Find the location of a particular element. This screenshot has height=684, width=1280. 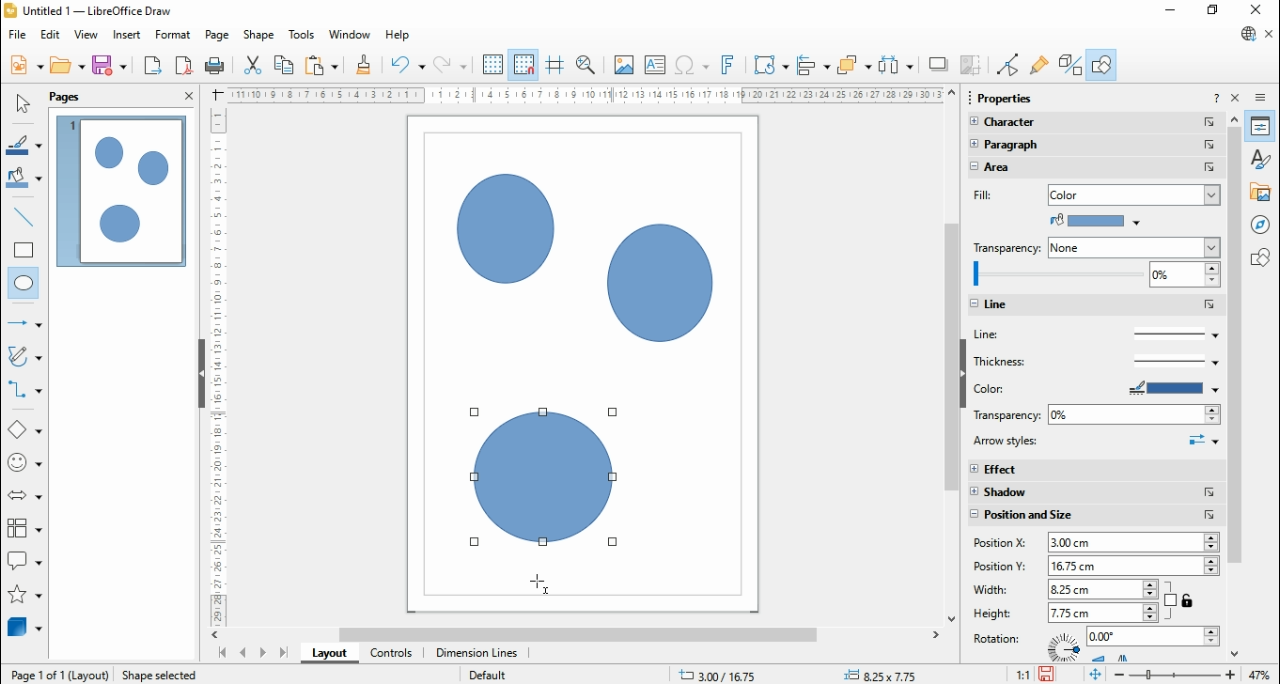

help is located at coordinates (398, 36).